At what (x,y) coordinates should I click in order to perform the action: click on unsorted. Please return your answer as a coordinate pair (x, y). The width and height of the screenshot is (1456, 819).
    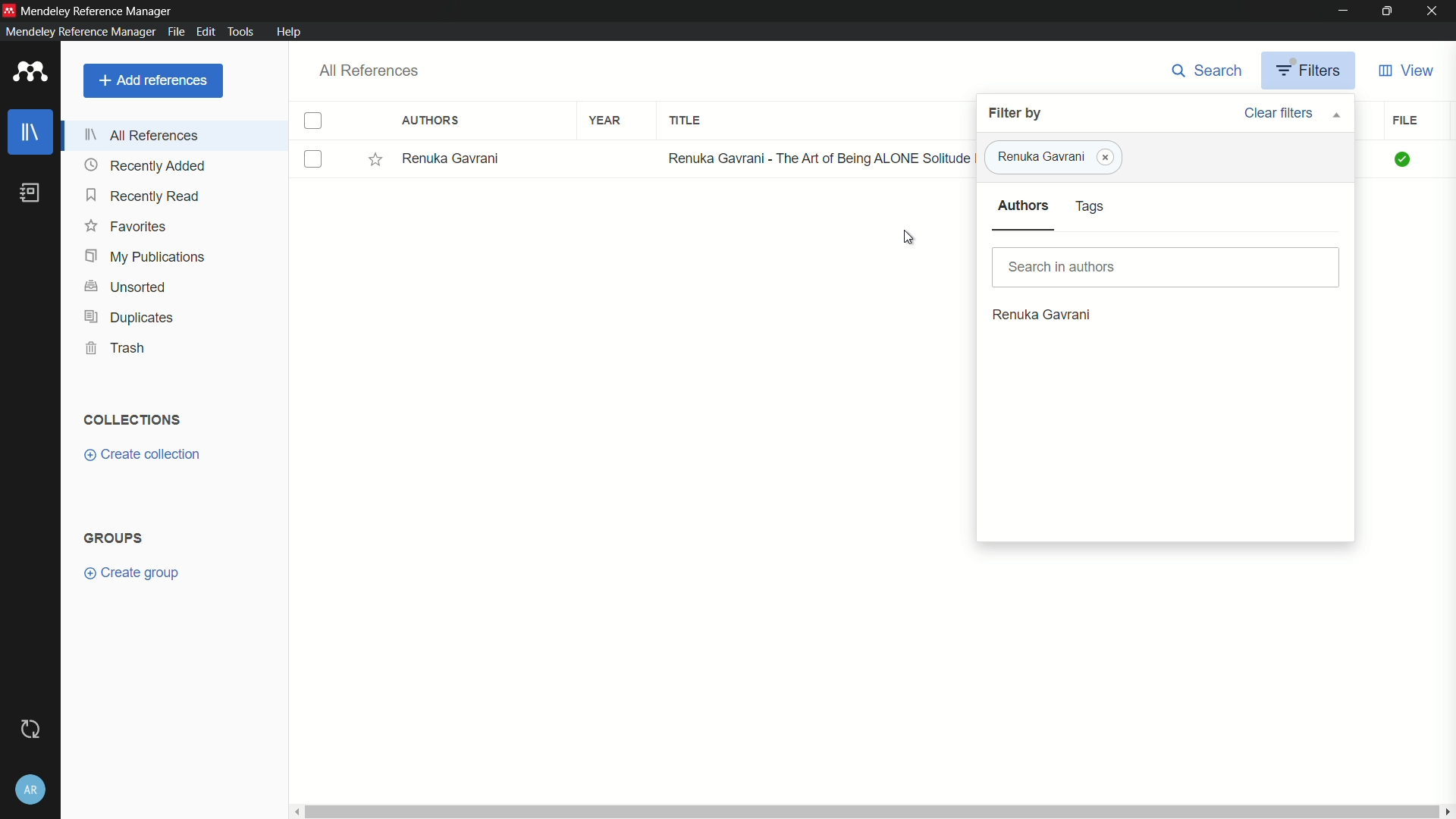
    Looking at the image, I should click on (124, 287).